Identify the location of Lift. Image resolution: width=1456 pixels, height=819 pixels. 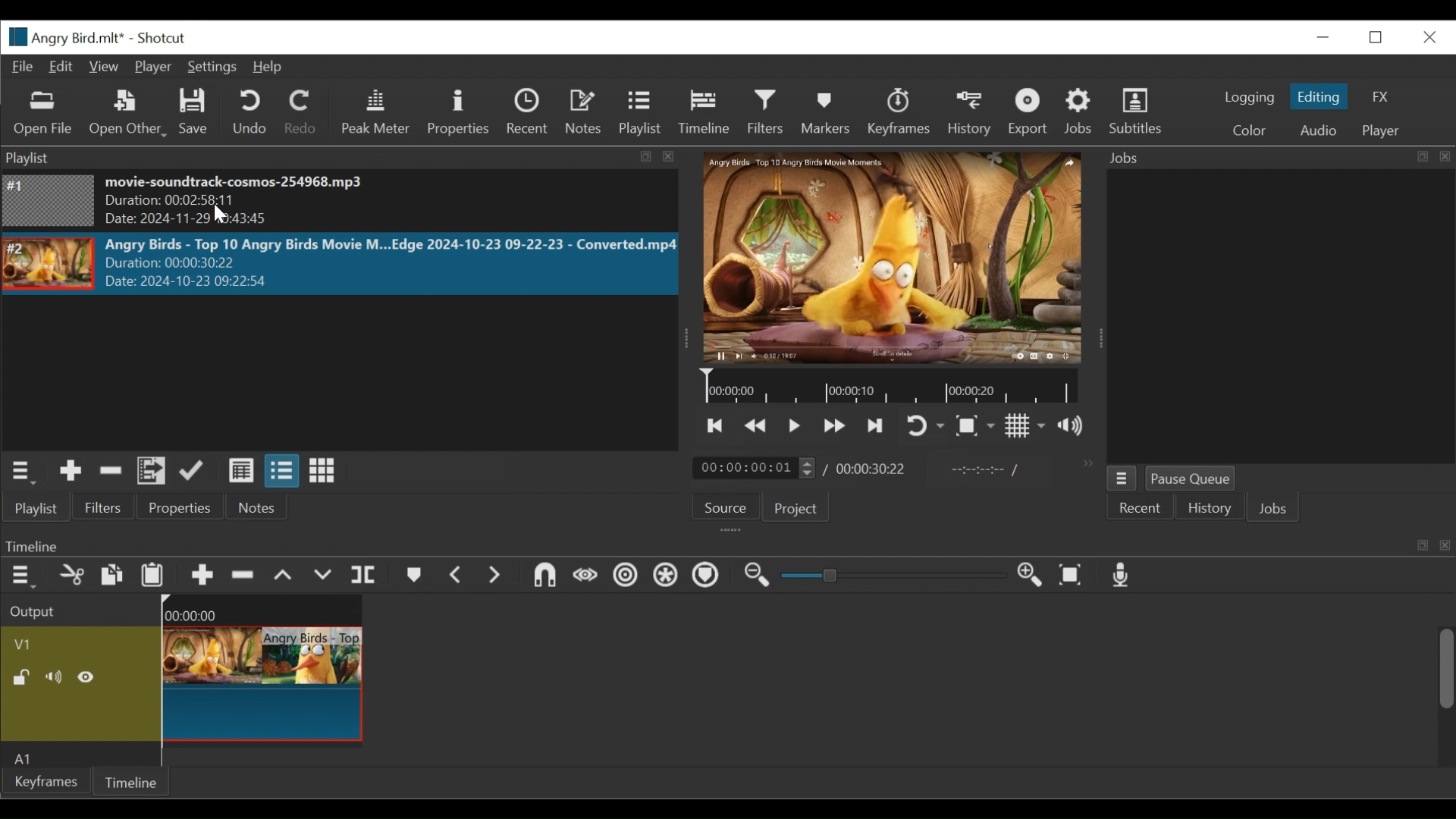
(285, 576).